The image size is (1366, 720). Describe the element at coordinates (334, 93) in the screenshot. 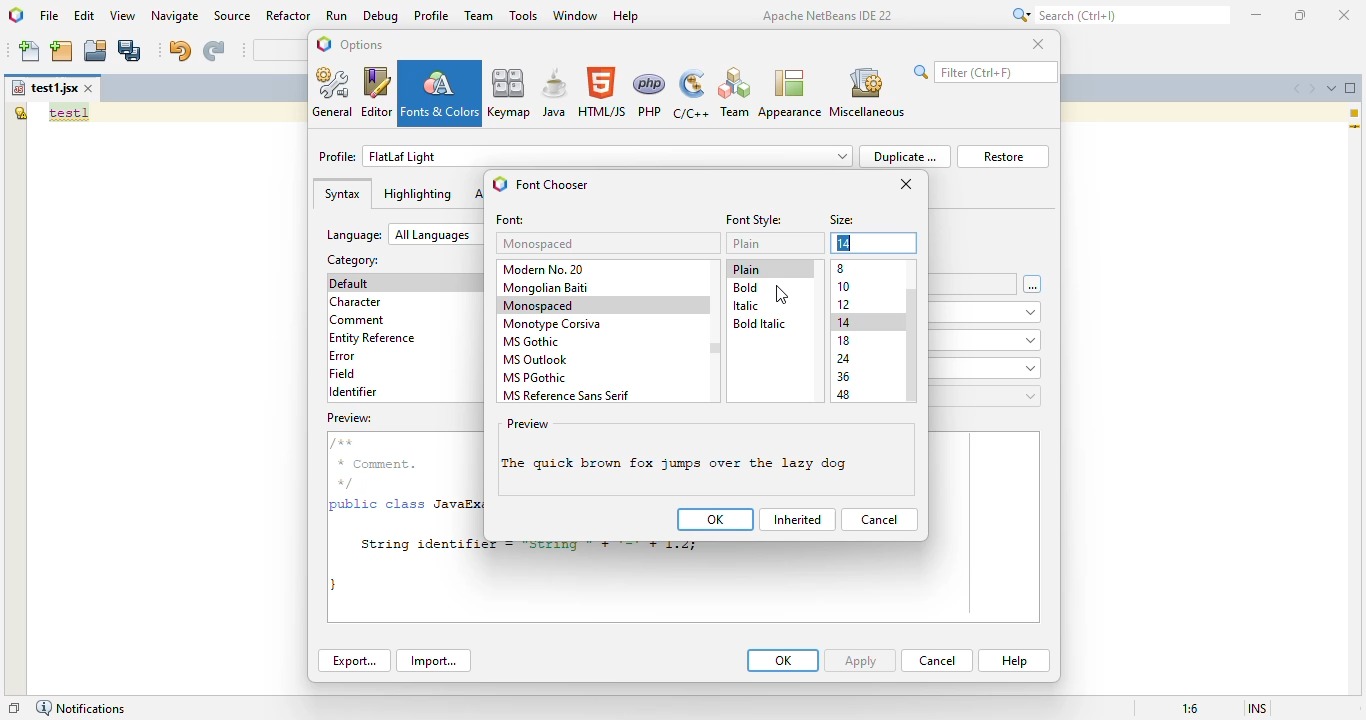

I see `general` at that location.